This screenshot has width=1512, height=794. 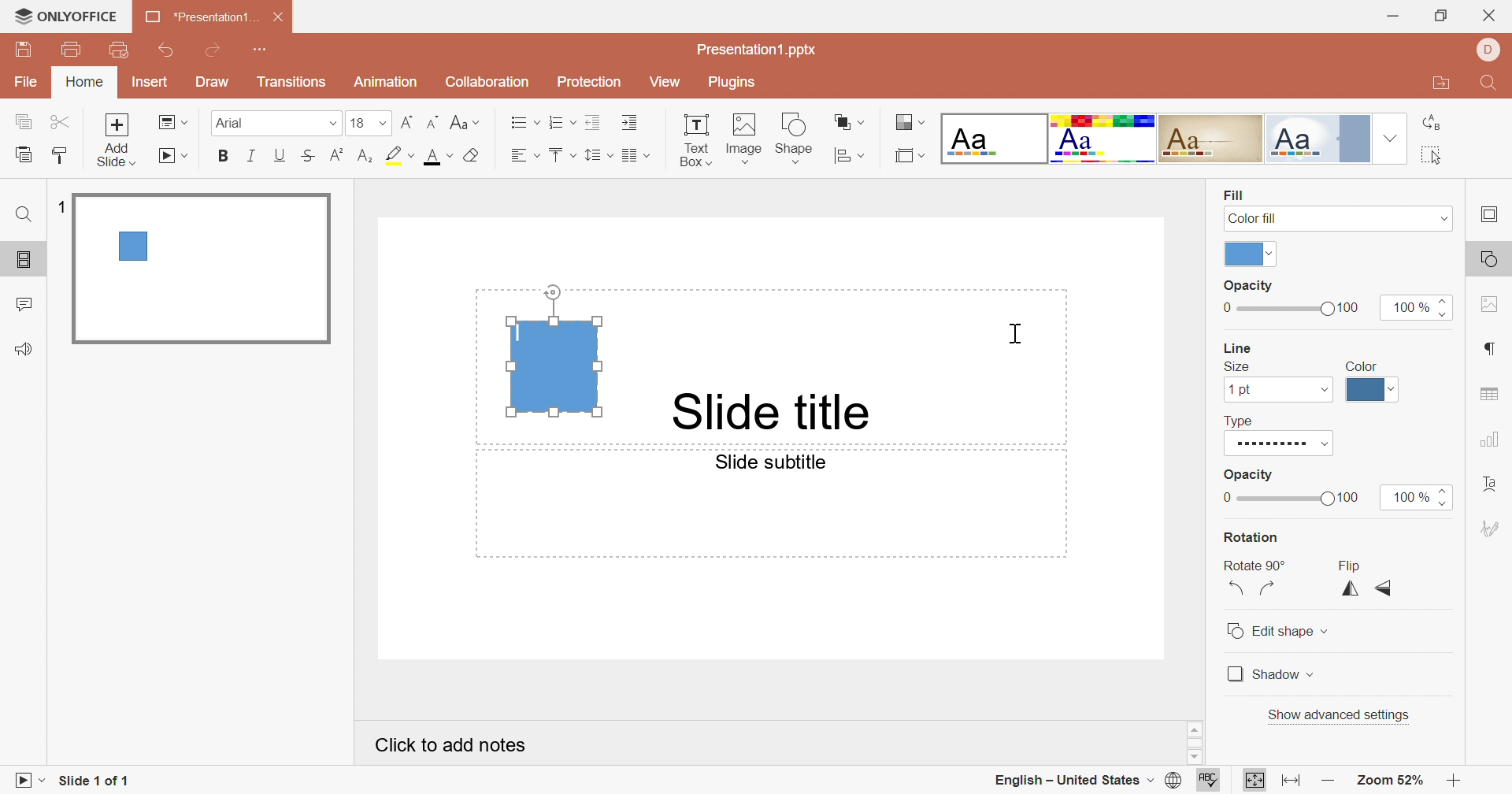 I want to click on Slider, so click(x=1445, y=497).